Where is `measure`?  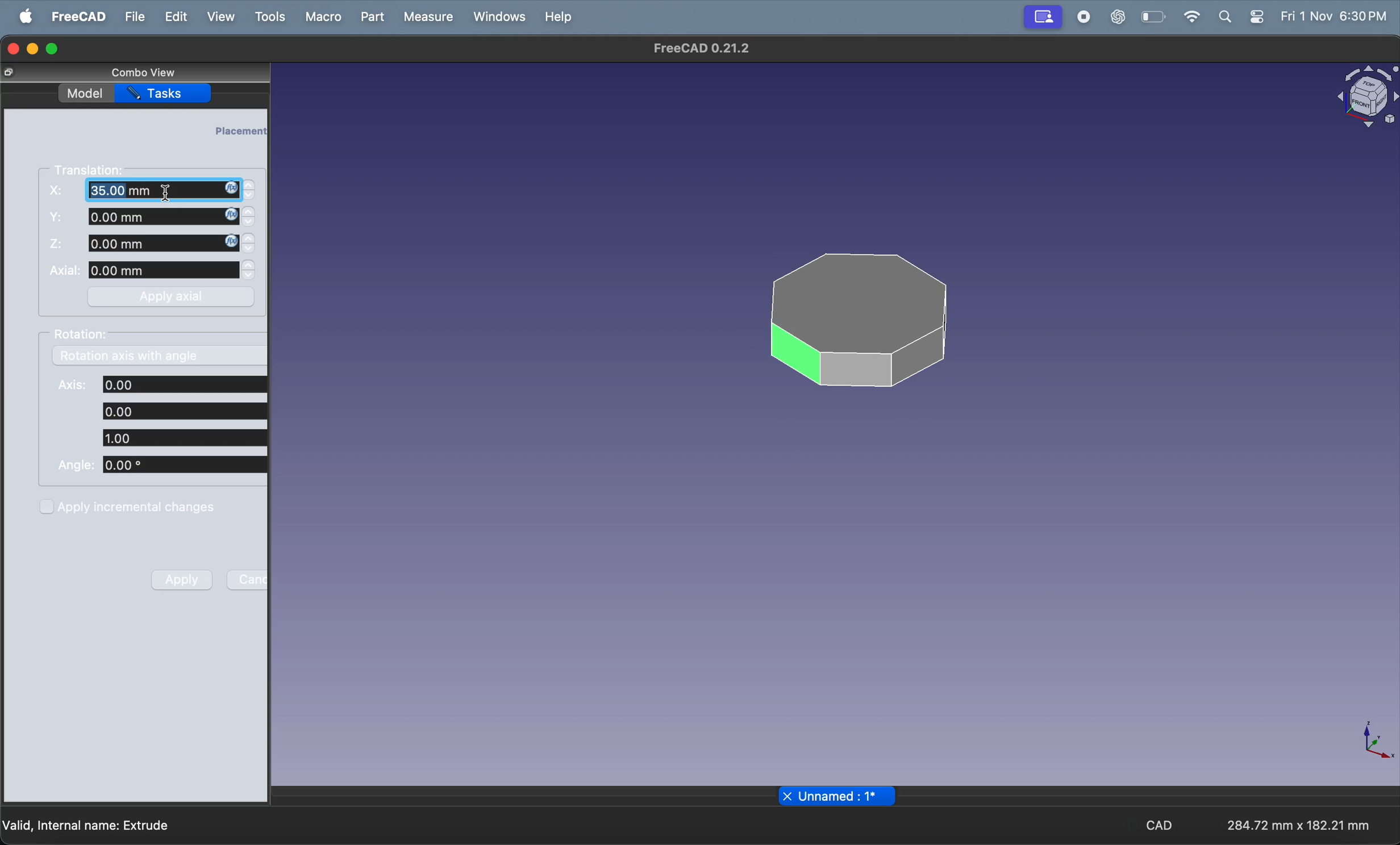
measure is located at coordinates (429, 16).